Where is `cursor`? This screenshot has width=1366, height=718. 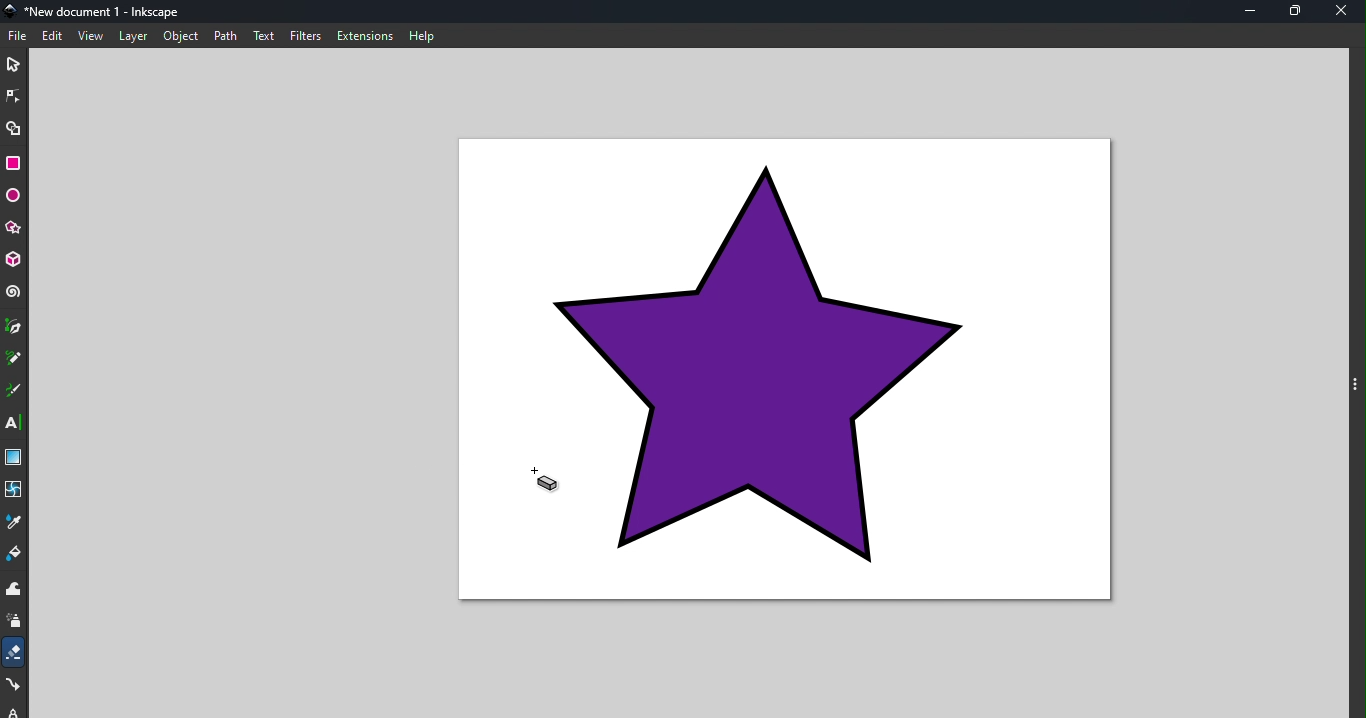 cursor is located at coordinates (548, 483).